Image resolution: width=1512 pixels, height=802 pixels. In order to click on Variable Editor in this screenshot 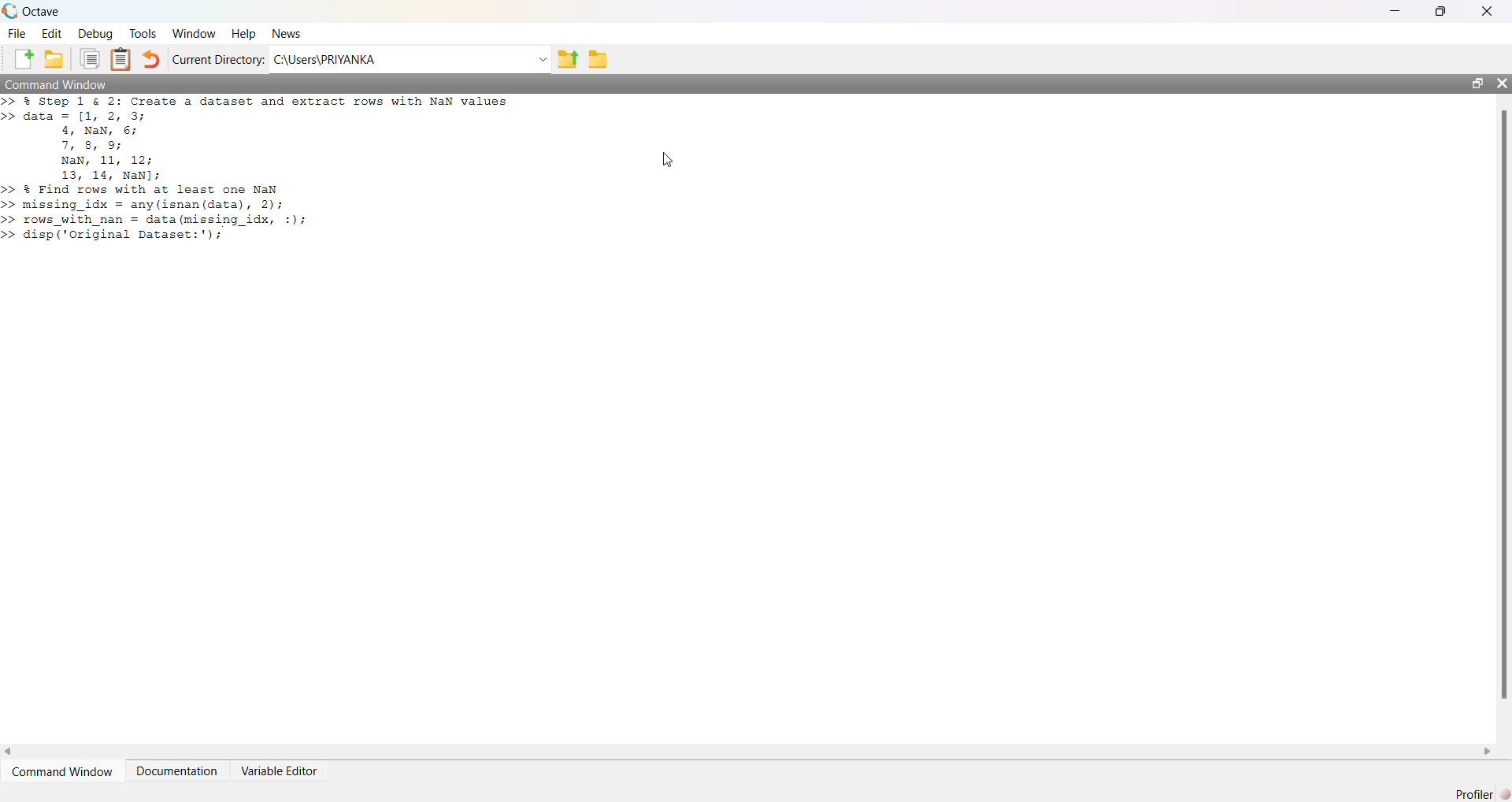, I will do `click(278, 771)`.